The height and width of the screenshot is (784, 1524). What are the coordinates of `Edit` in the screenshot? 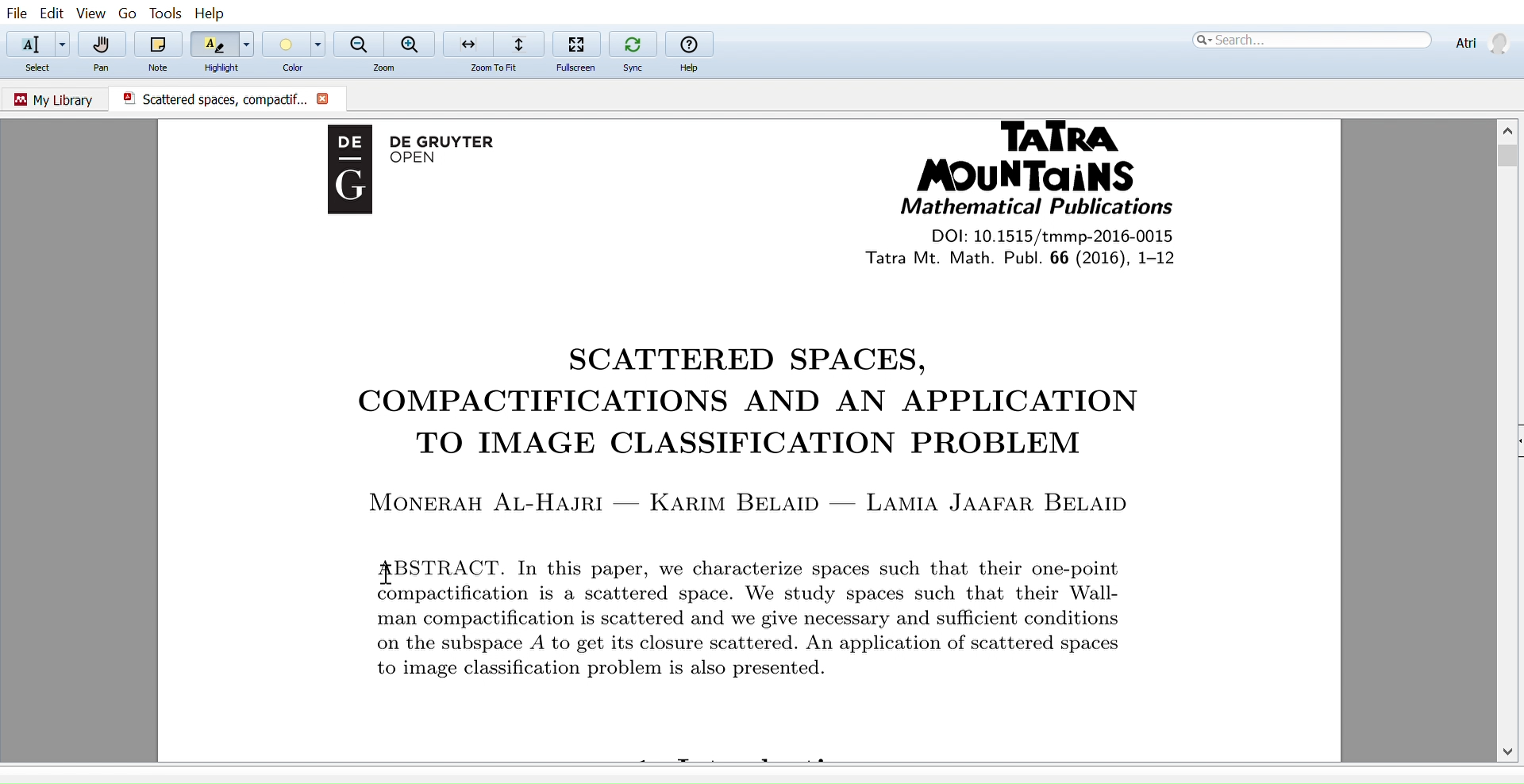 It's located at (51, 13).